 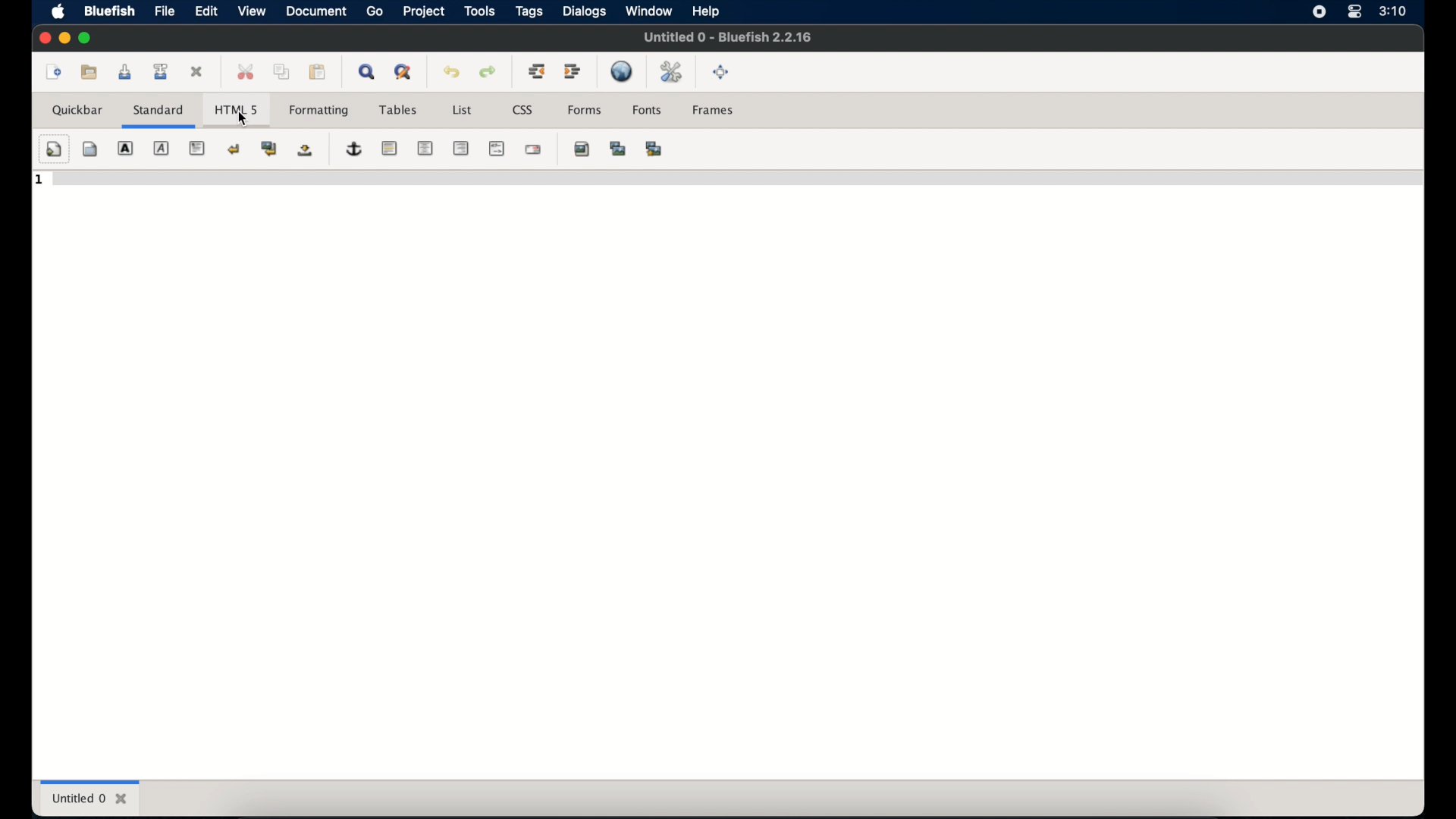 I want to click on break, so click(x=234, y=149).